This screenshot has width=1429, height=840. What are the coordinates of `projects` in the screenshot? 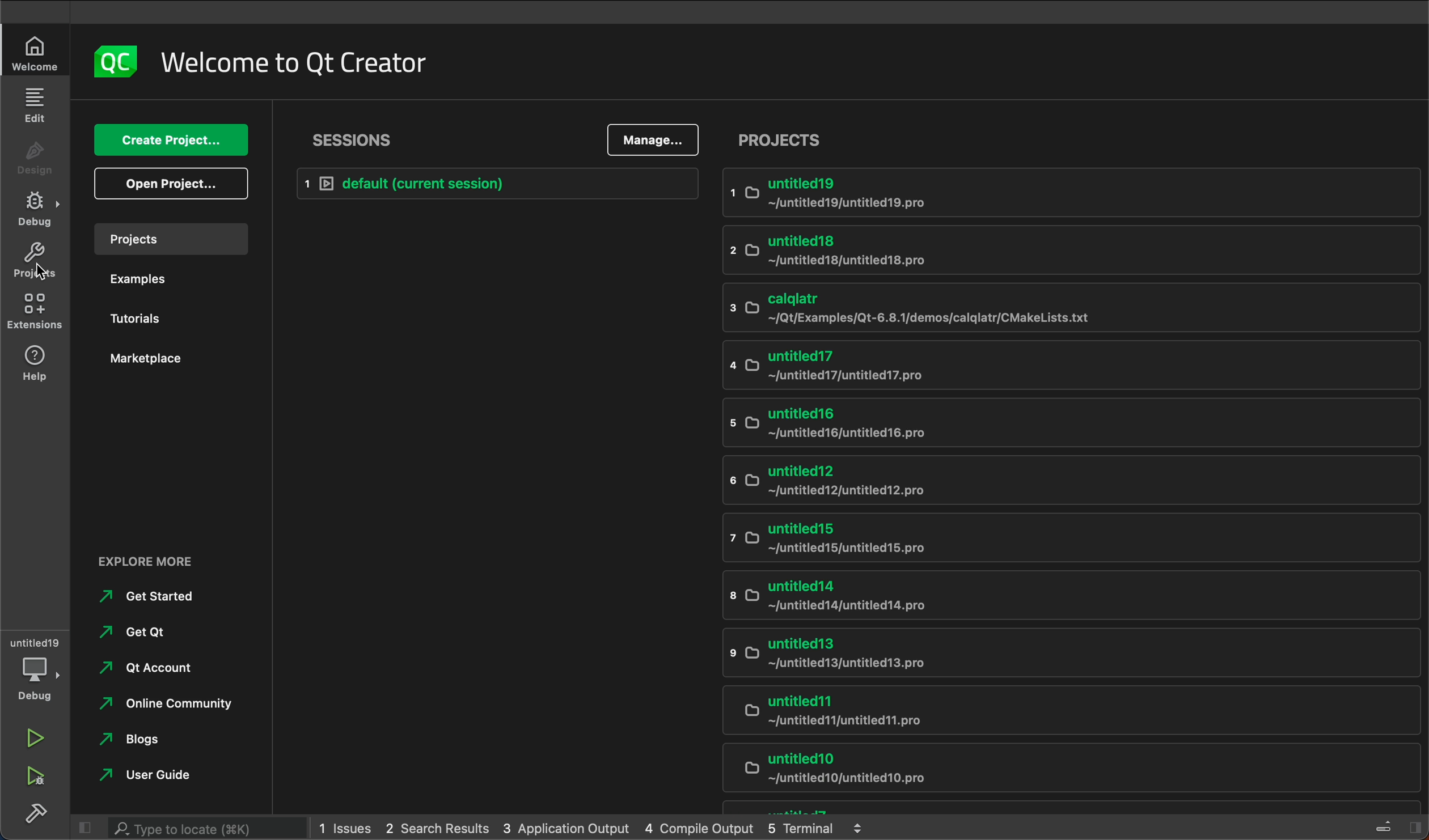 It's located at (32, 260).